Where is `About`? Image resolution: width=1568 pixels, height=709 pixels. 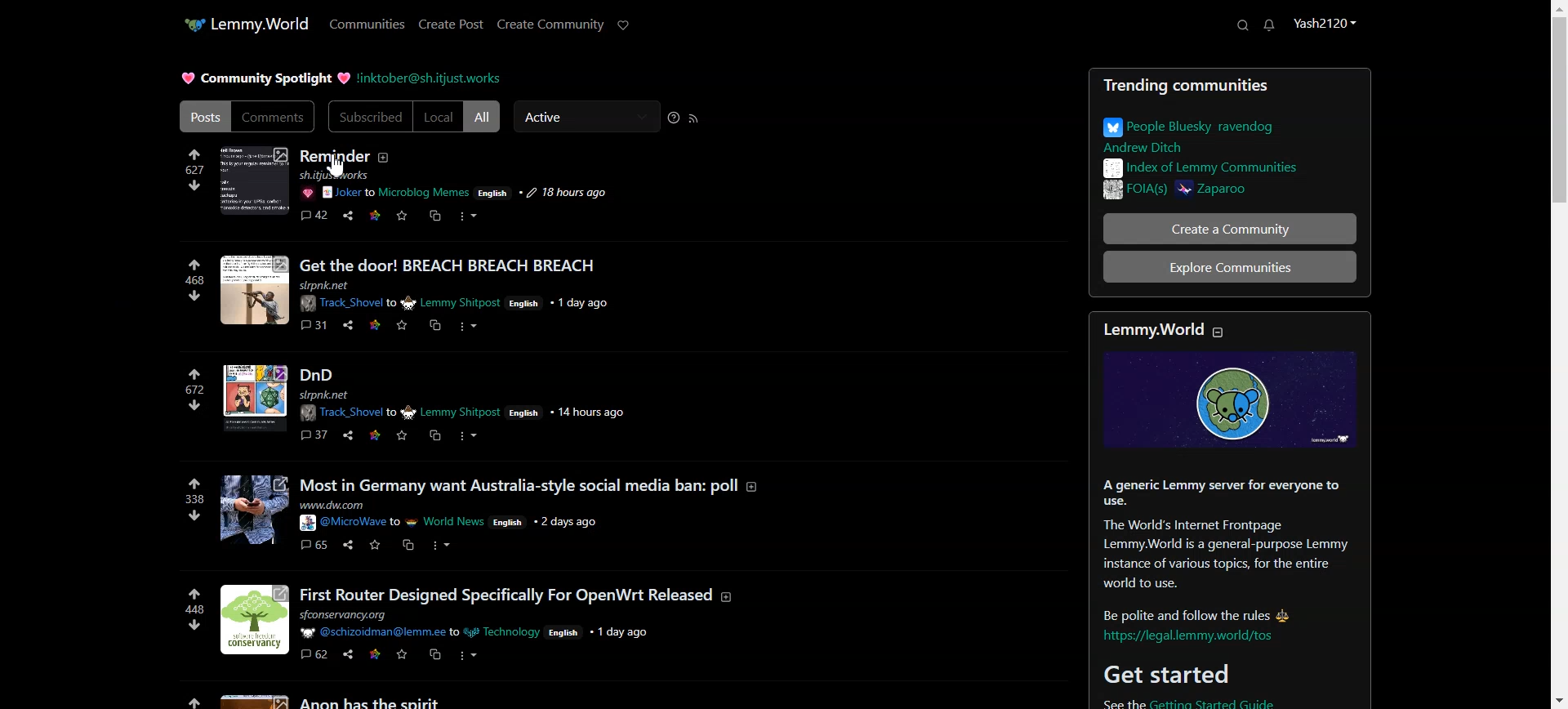 About is located at coordinates (384, 157).